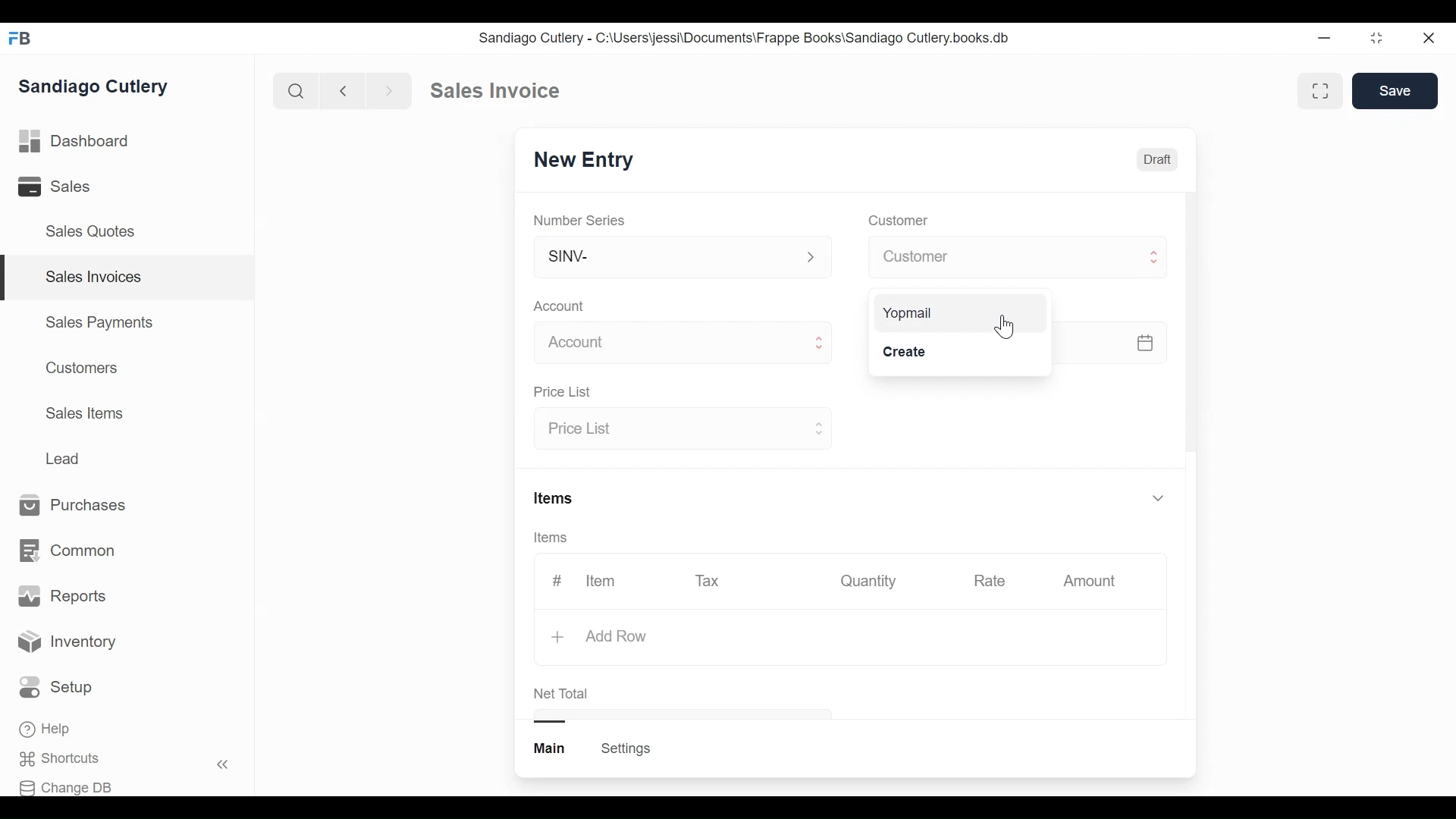  Describe the element at coordinates (1090, 581) in the screenshot. I see `Amount` at that location.